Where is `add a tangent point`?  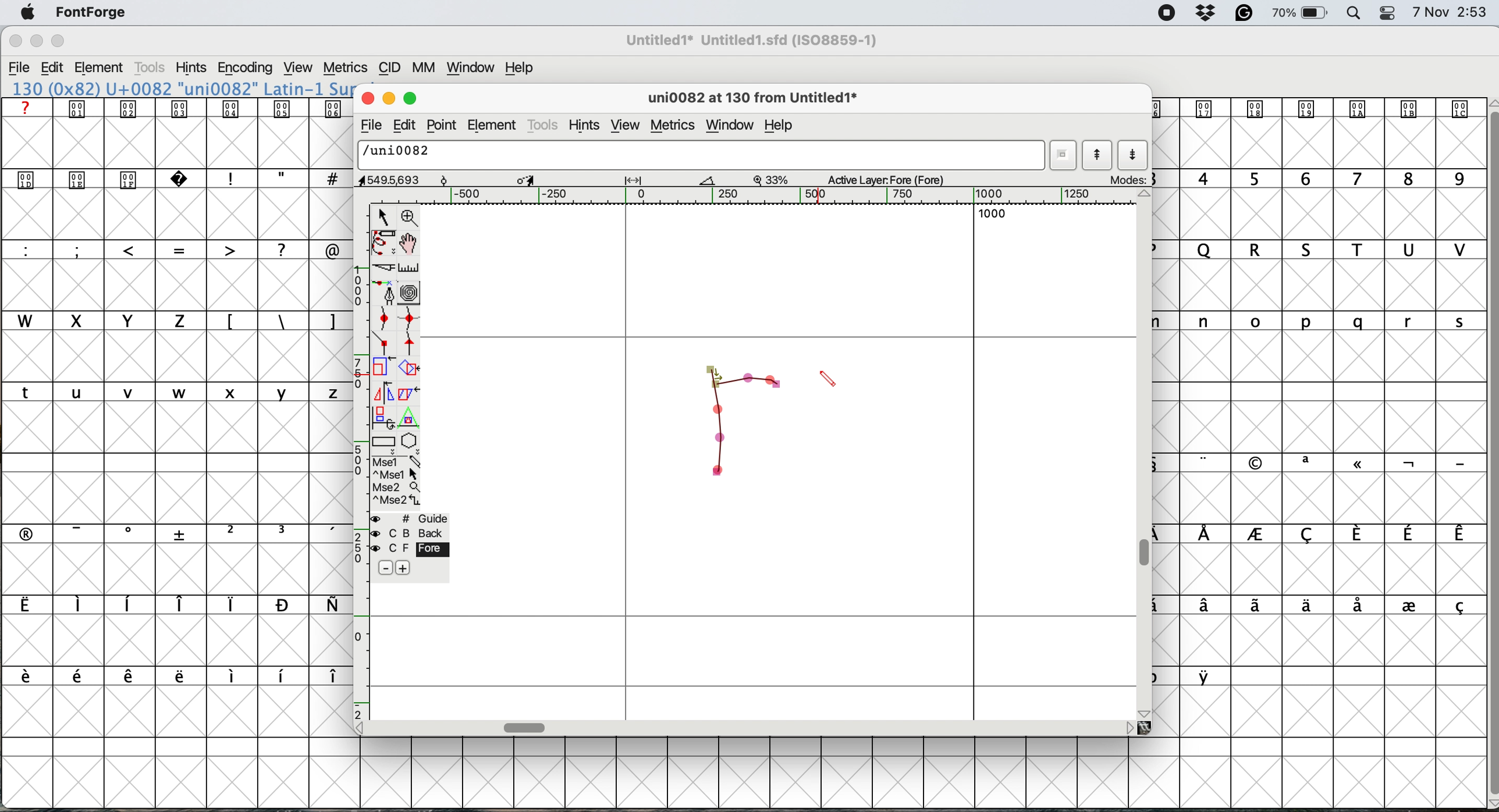
add a tangent point is located at coordinates (411, 346).